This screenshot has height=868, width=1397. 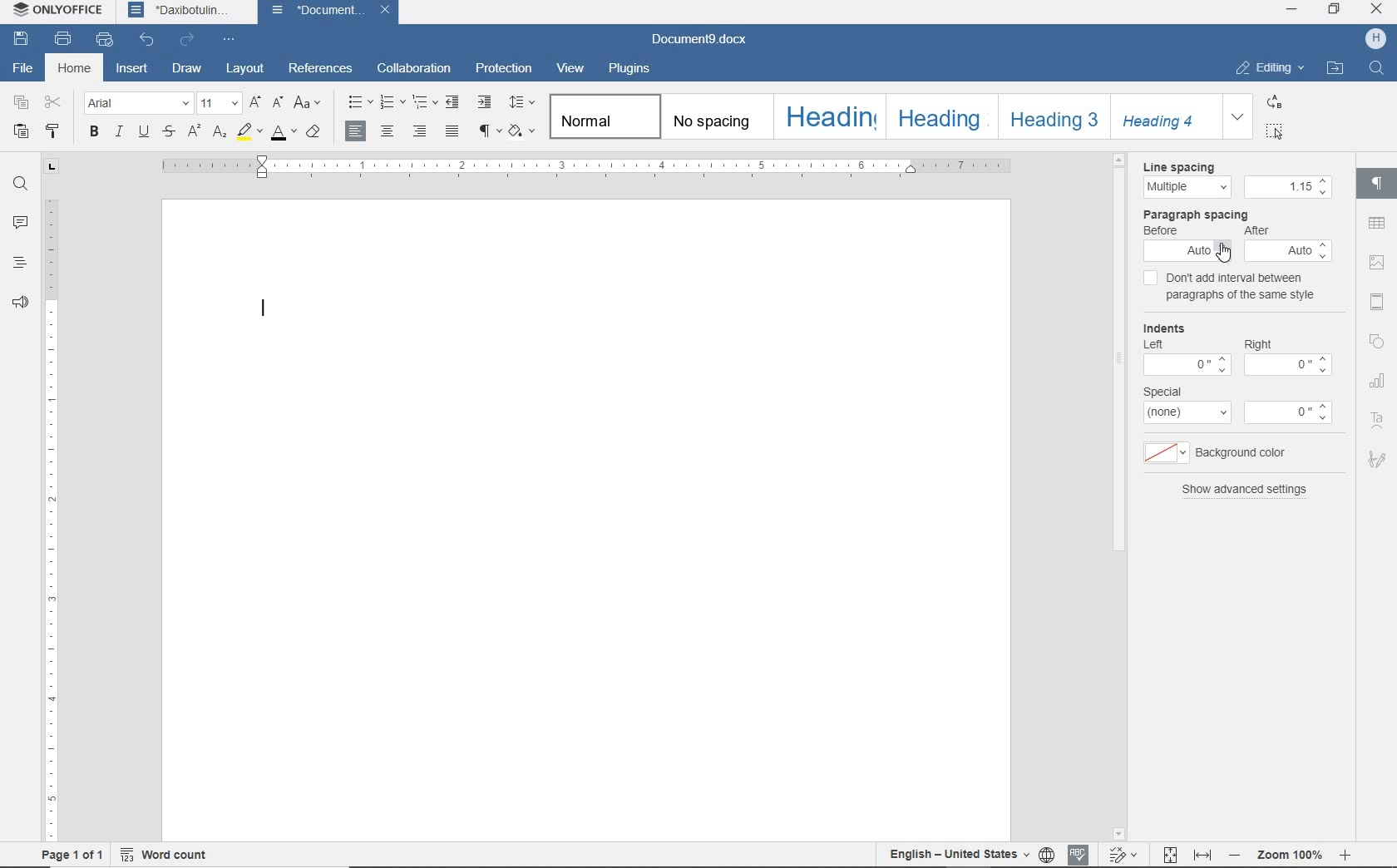 What do you see at coordinates (71, 855) in the screenshot?
I see `page 1 of 1` at bounding box center [71, 855].